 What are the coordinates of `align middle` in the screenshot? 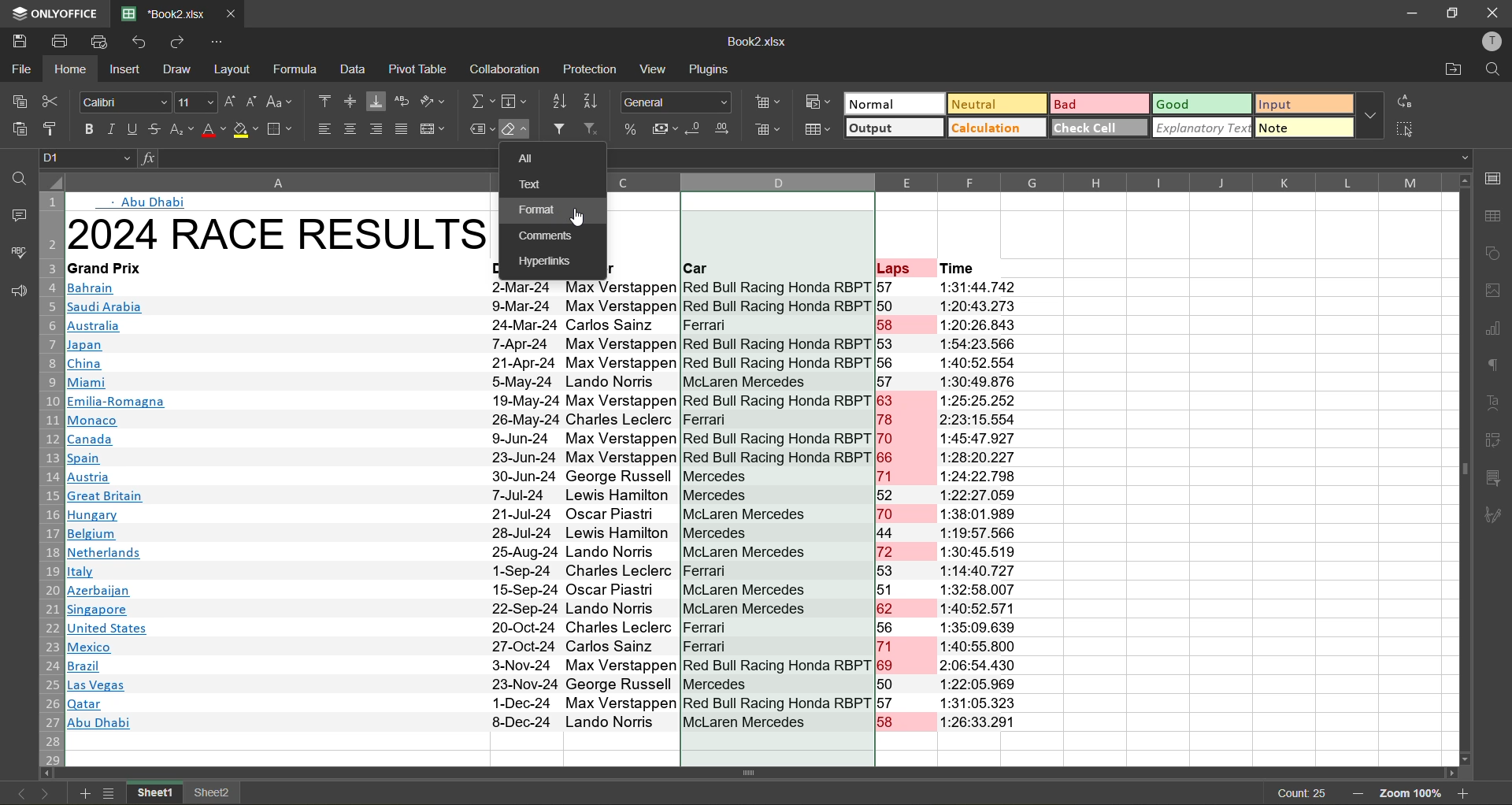 It's located at (350, 102).